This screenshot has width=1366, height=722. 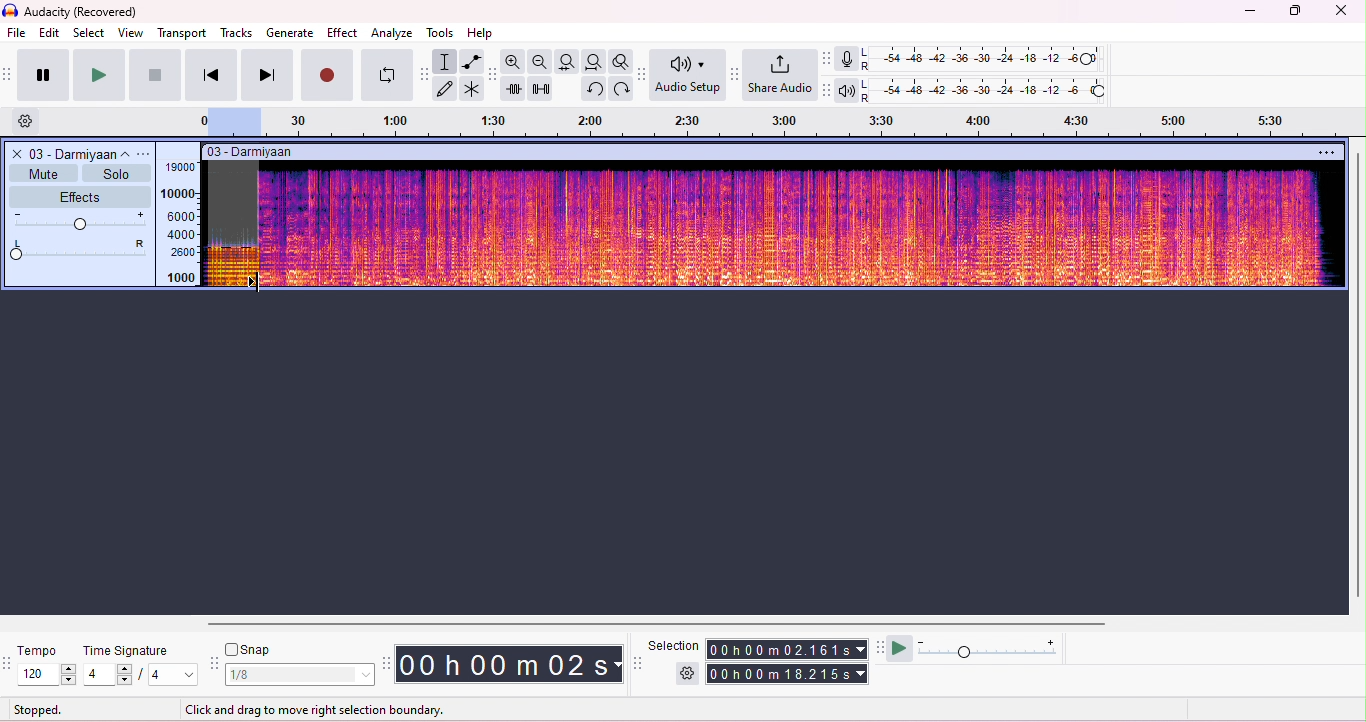 What do you see at coordinates (542, 88) in the screenshot?
I see `silence selection` at bounding box center [542, 88].